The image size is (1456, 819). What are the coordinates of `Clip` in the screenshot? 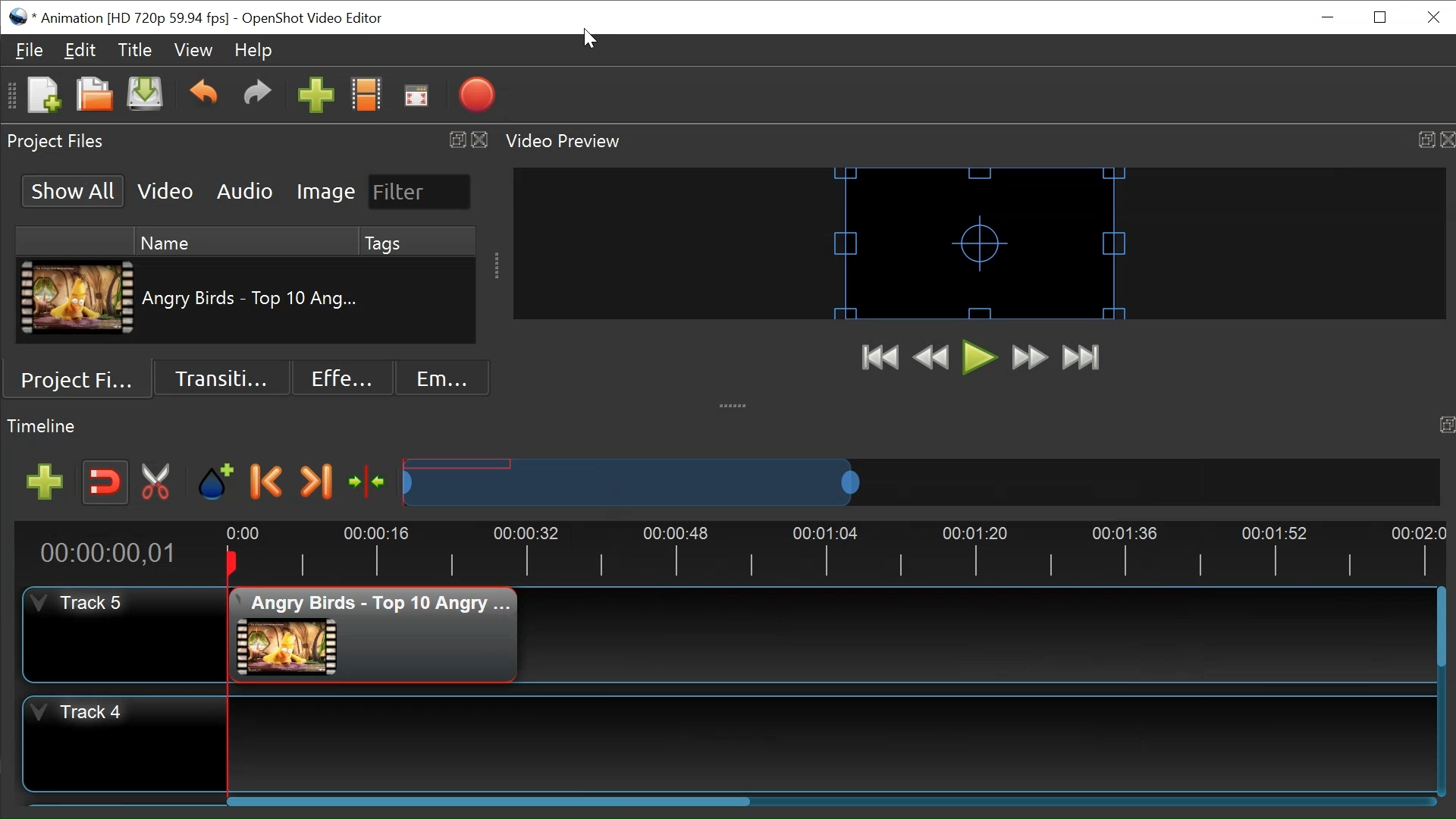 It's located at (78, 296).